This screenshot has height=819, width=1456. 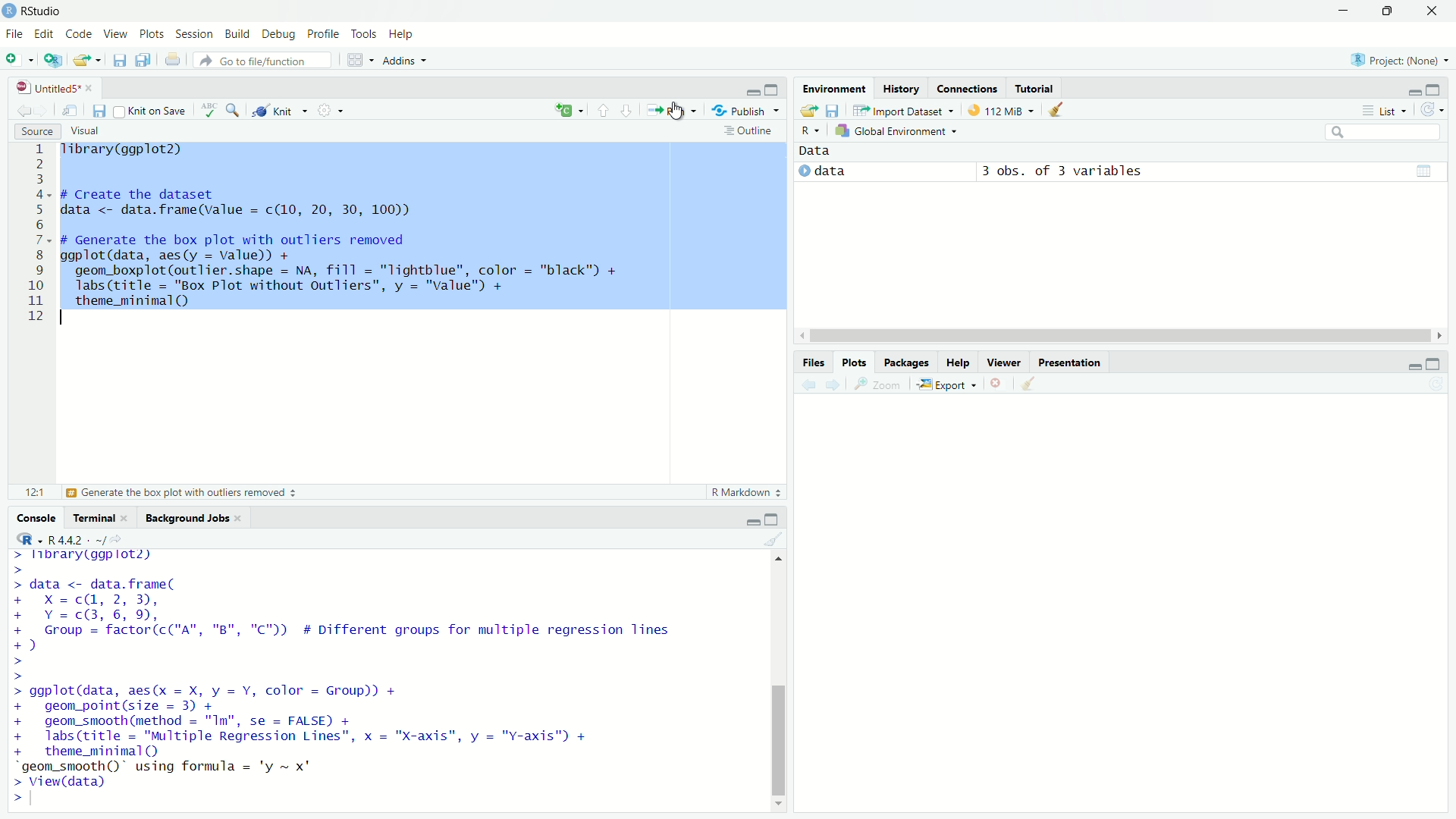 I want to click on ‘Connections, so click(x=967, y=88).